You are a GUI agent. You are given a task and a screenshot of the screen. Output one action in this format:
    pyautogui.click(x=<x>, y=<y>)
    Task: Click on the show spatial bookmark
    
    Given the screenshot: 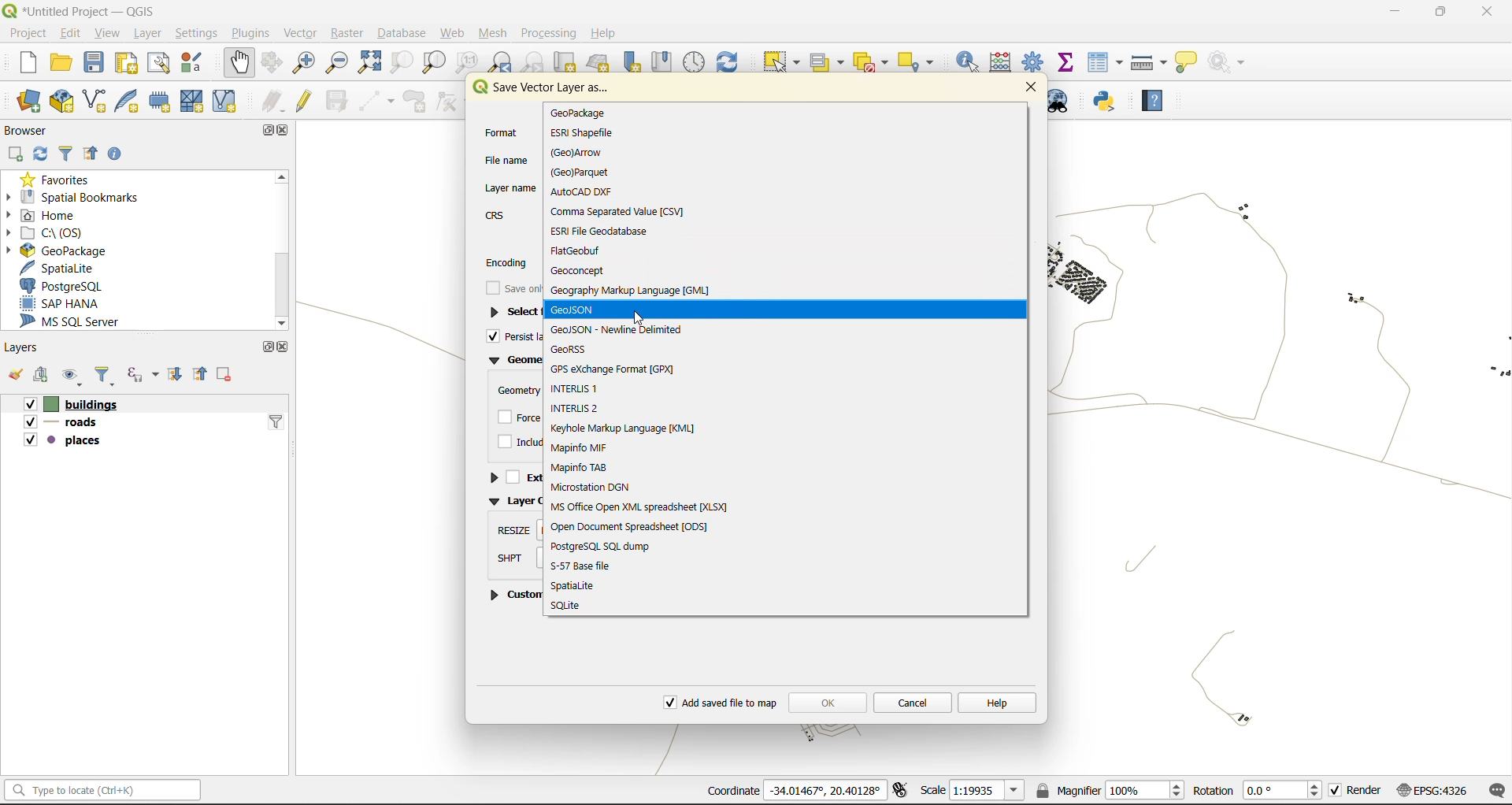 What is the action you would take?
    pyautogui.click(x=665, y=62)
    